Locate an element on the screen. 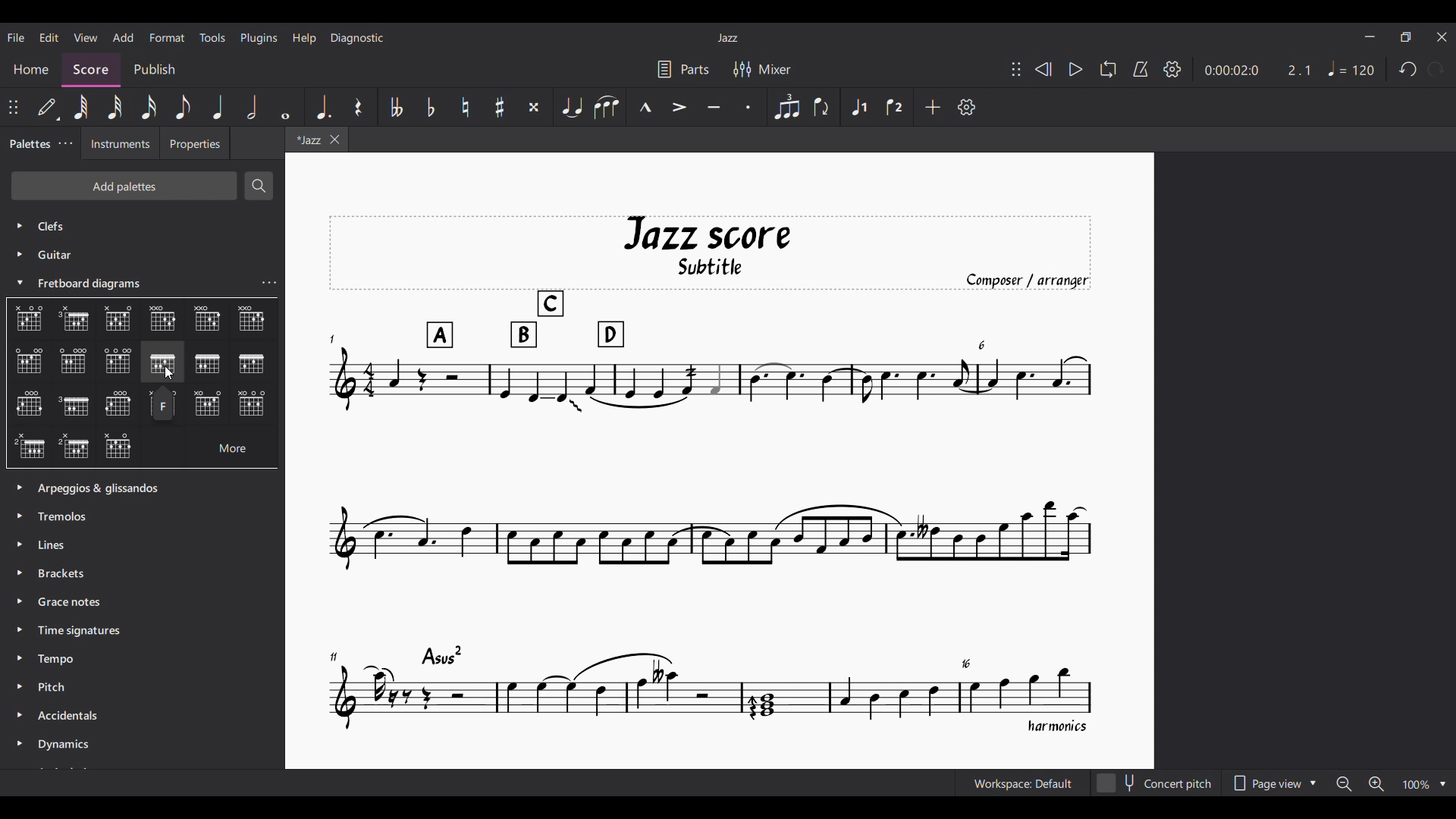 This screenshot has height=819, width=1456. Loop playback is located at coordinates (1108, 69).